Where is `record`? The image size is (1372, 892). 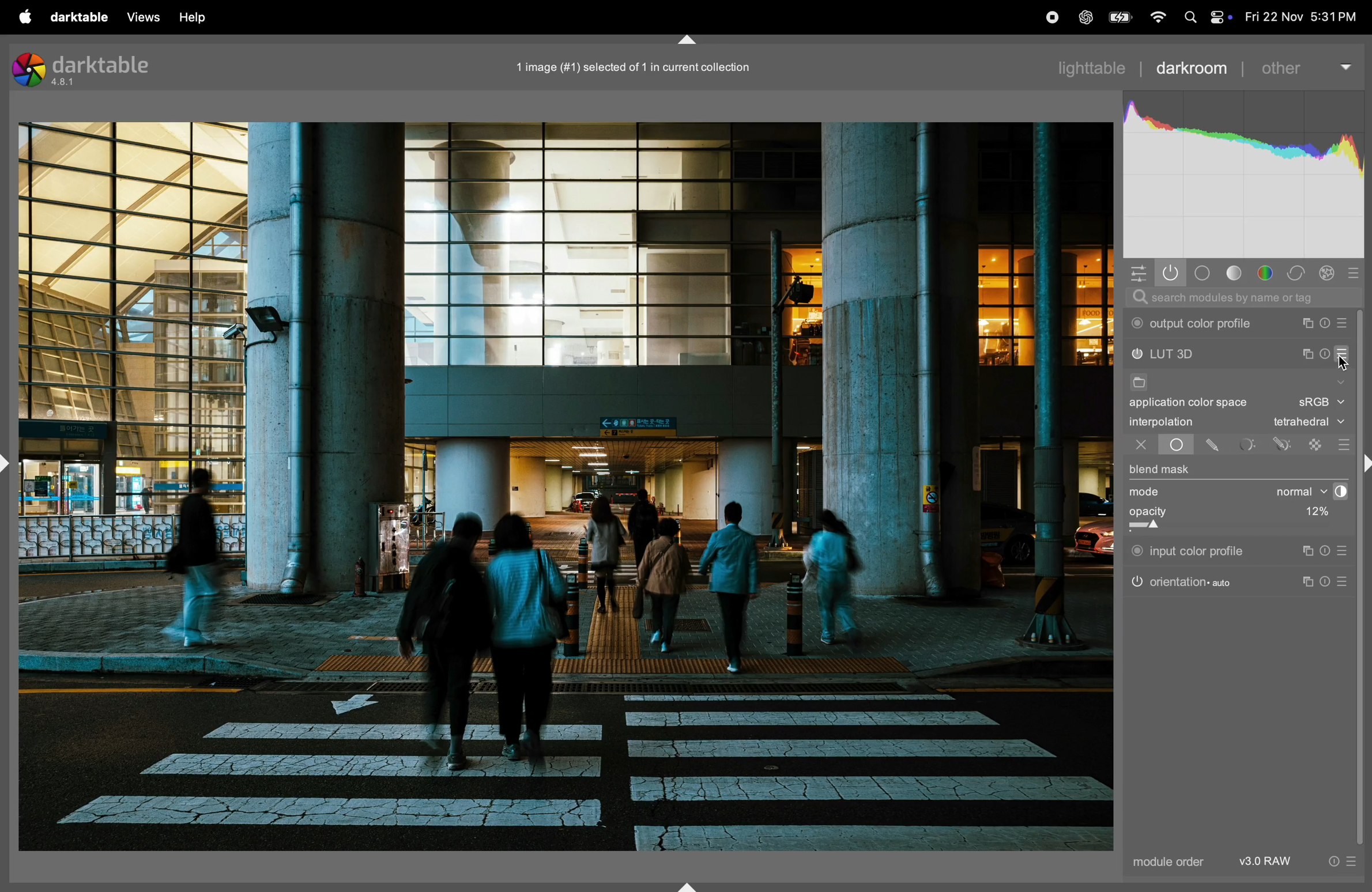 record is located at coordinates (1048, 18).